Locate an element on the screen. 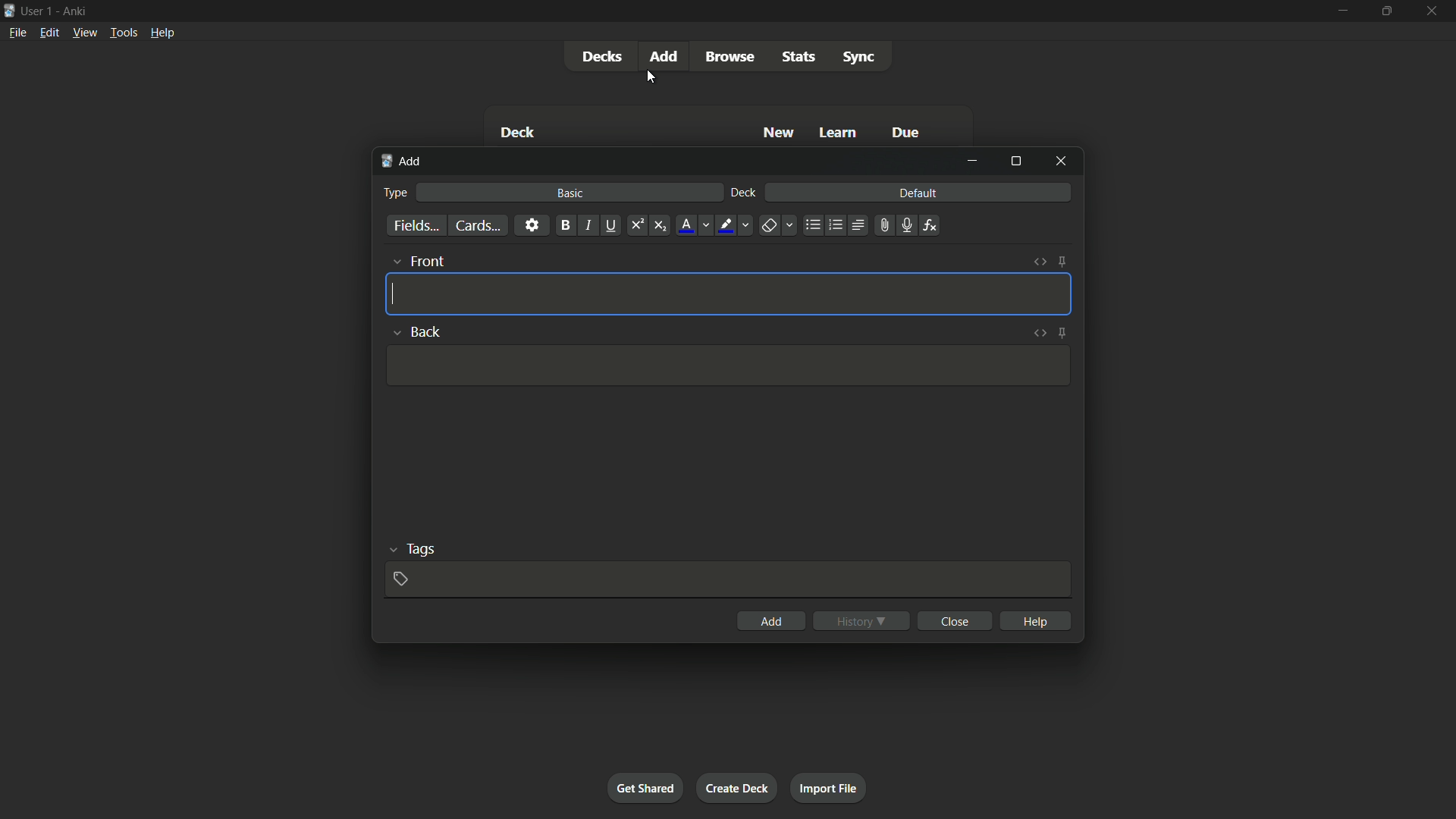 The height and width of the screenshot is (819, 1456). tags is located at coordinates (422, 548).